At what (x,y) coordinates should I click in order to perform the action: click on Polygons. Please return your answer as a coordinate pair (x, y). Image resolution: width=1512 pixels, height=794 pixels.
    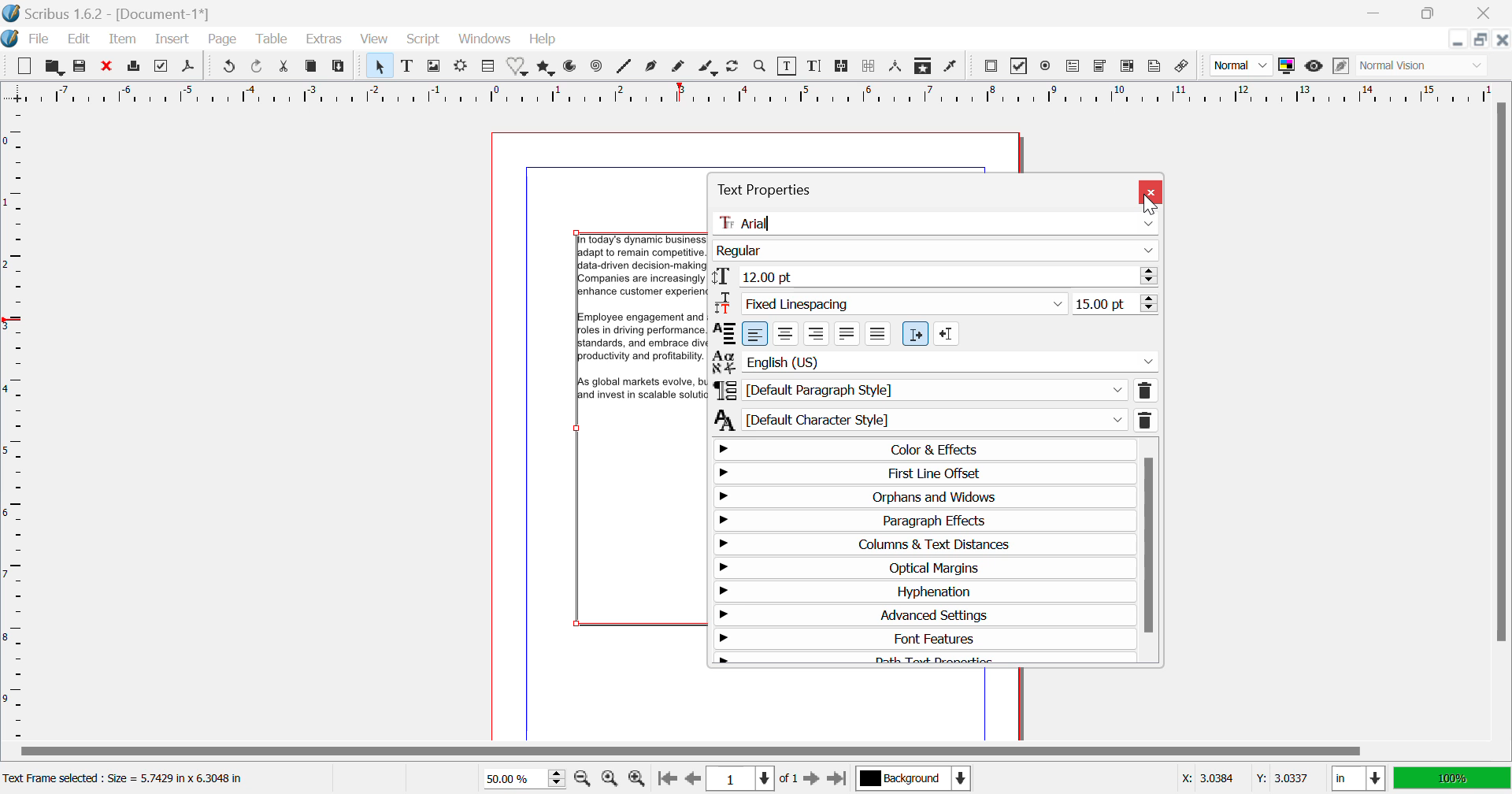
    Looking at the image, I should click on (547, 66).